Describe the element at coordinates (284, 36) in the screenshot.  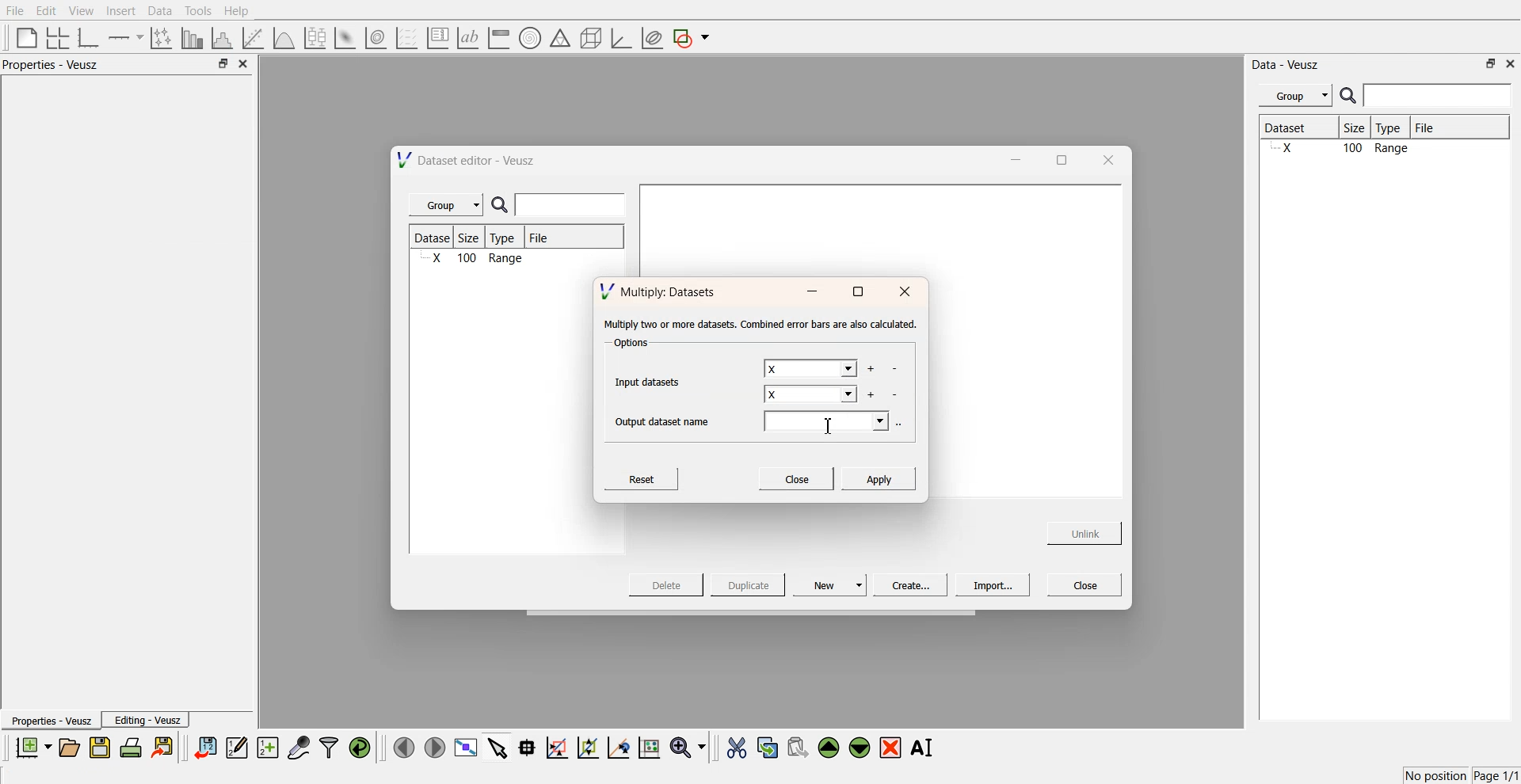
I see `plot a function on a graph` at that location.